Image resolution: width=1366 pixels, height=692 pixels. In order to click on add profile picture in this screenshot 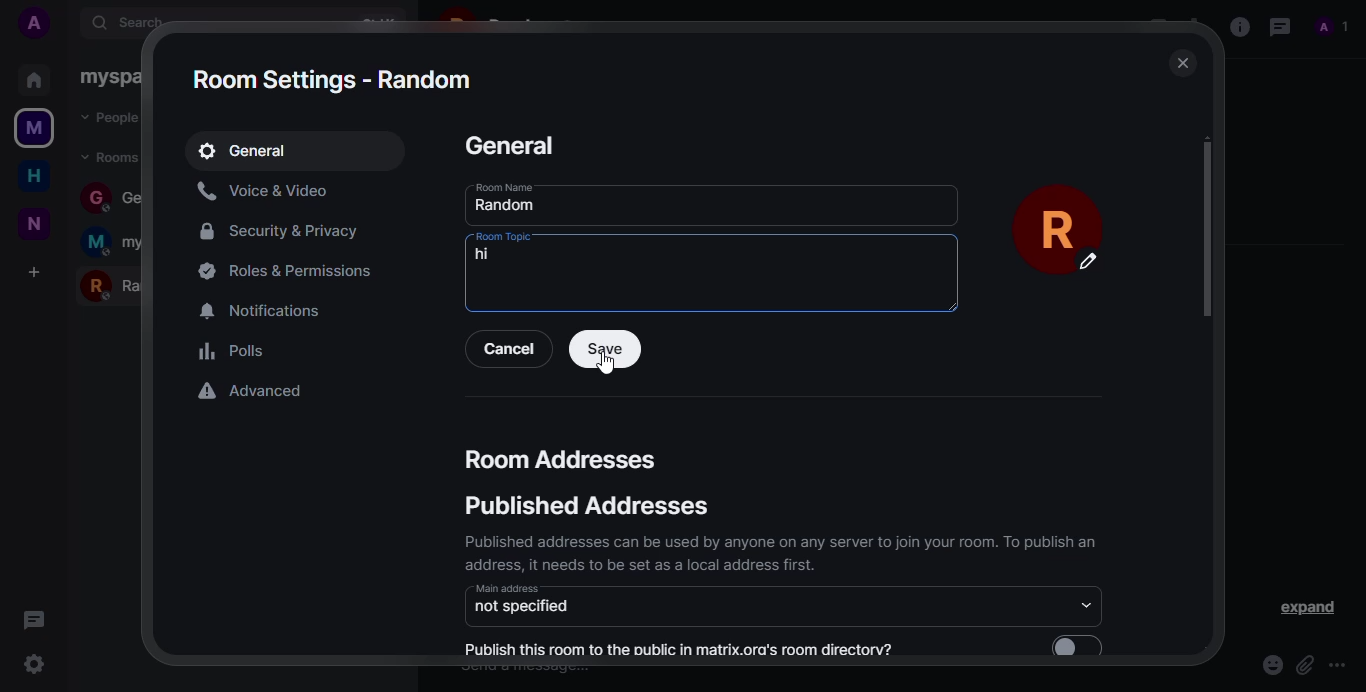, I will do `click(40, 23)`.